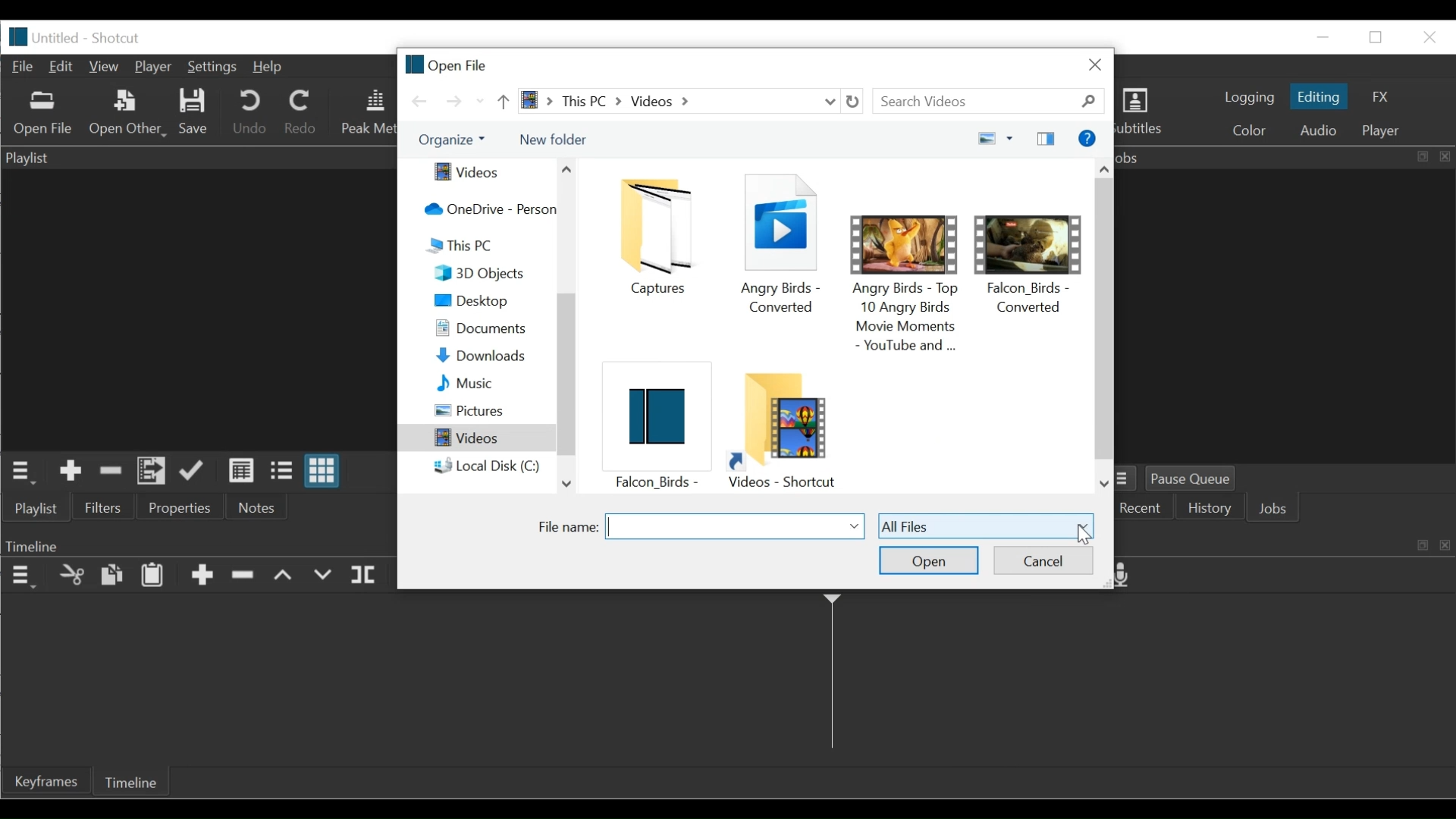  What do you see at coordinates (184, 506) in the screenshot?
I see `Properties` at bounding box center [184, 506].